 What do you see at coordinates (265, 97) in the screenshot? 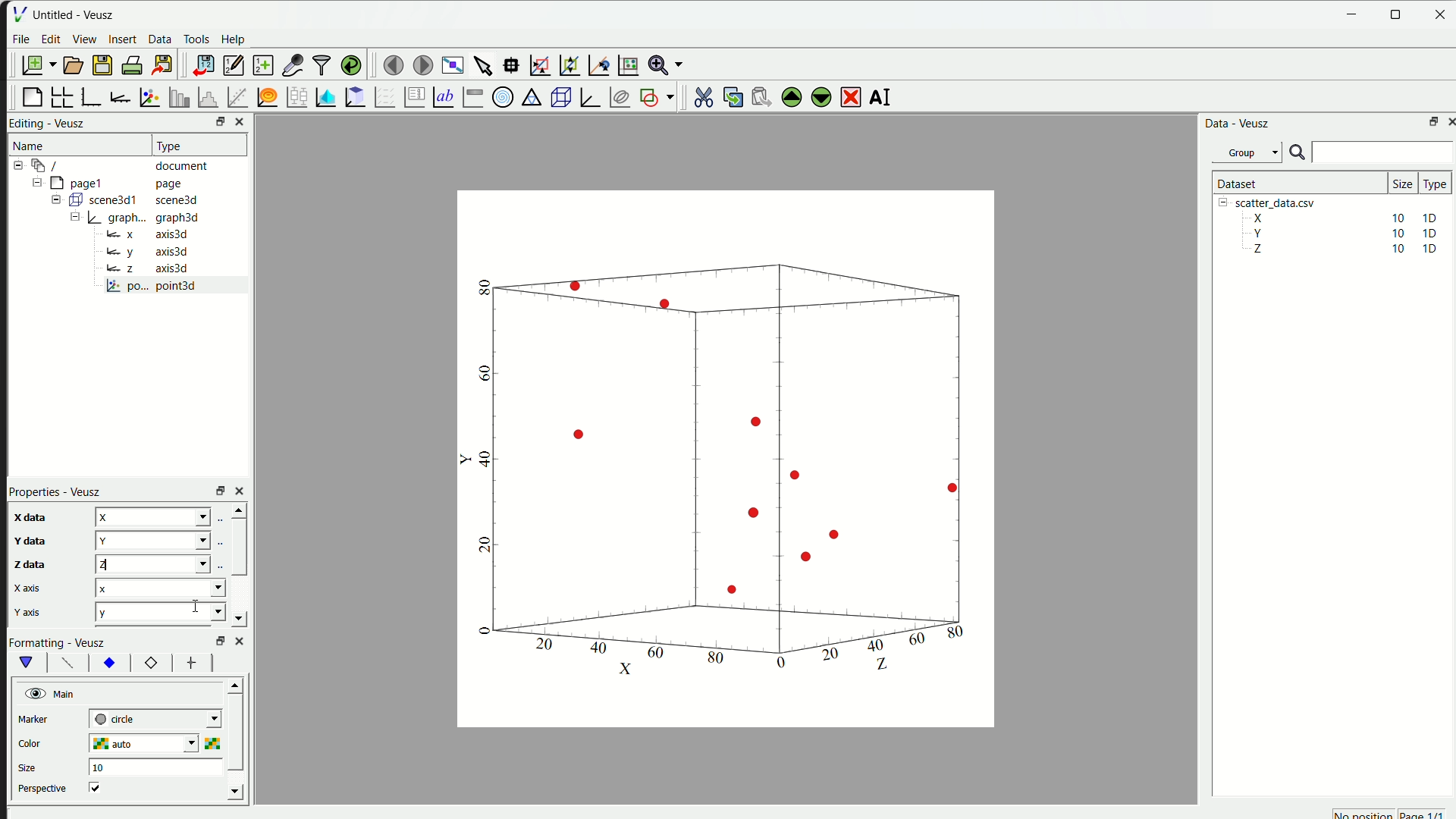
I see `plot function` at bounding box center [265, 97].